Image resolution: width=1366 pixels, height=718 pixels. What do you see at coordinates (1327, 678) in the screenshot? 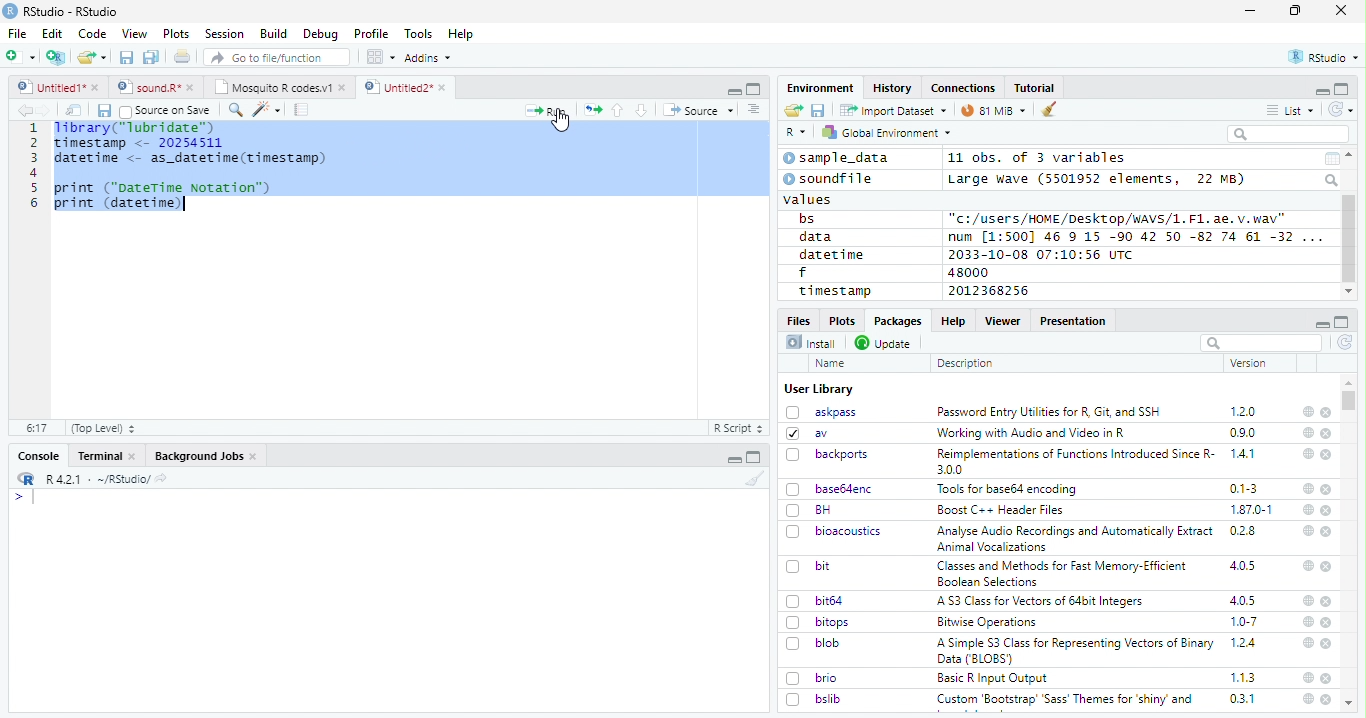
I see `close` at bounding box center [1327, 678].